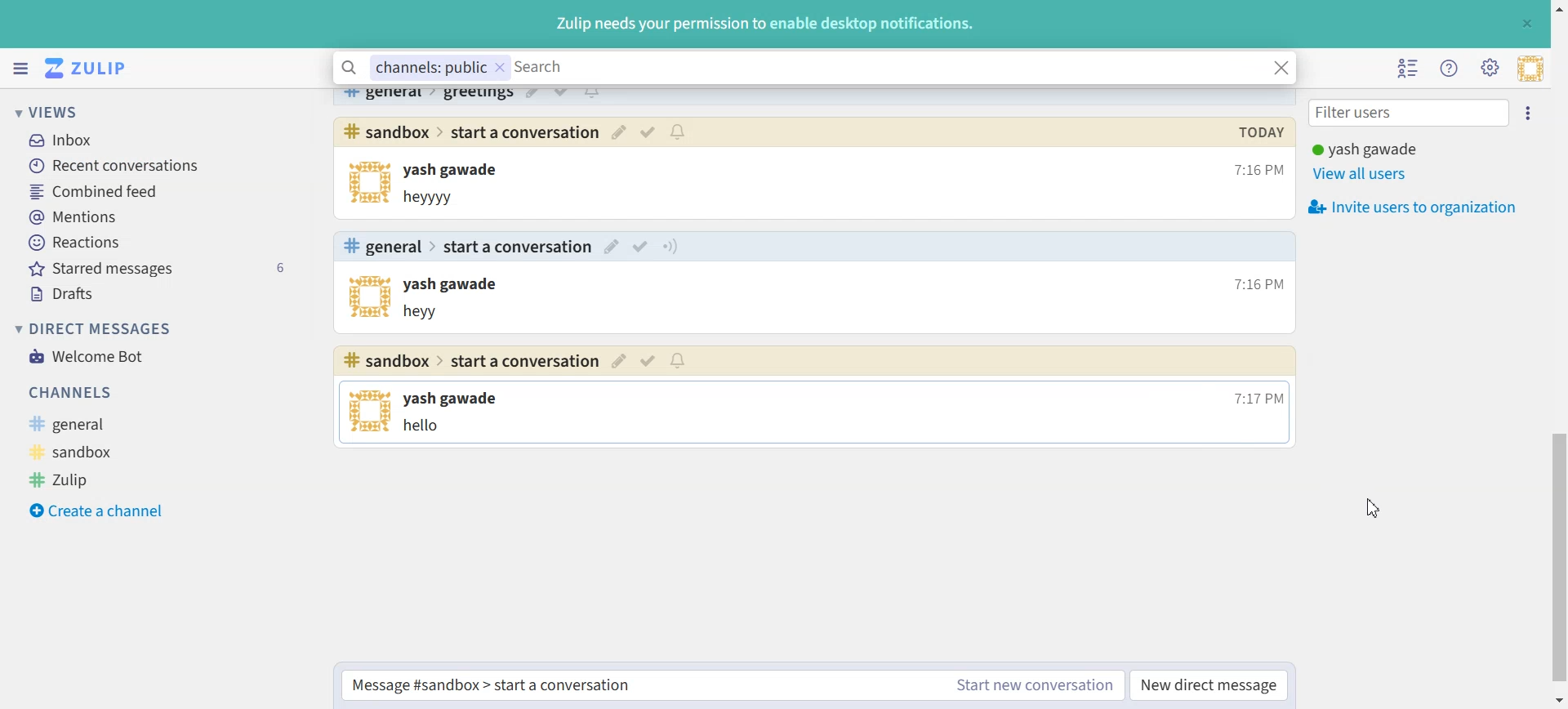 The width and height of the screenshot is (1568, 709). Describe the element at coordinates (1208, 685) in the screenshot. I see `New direct messages` at that location.